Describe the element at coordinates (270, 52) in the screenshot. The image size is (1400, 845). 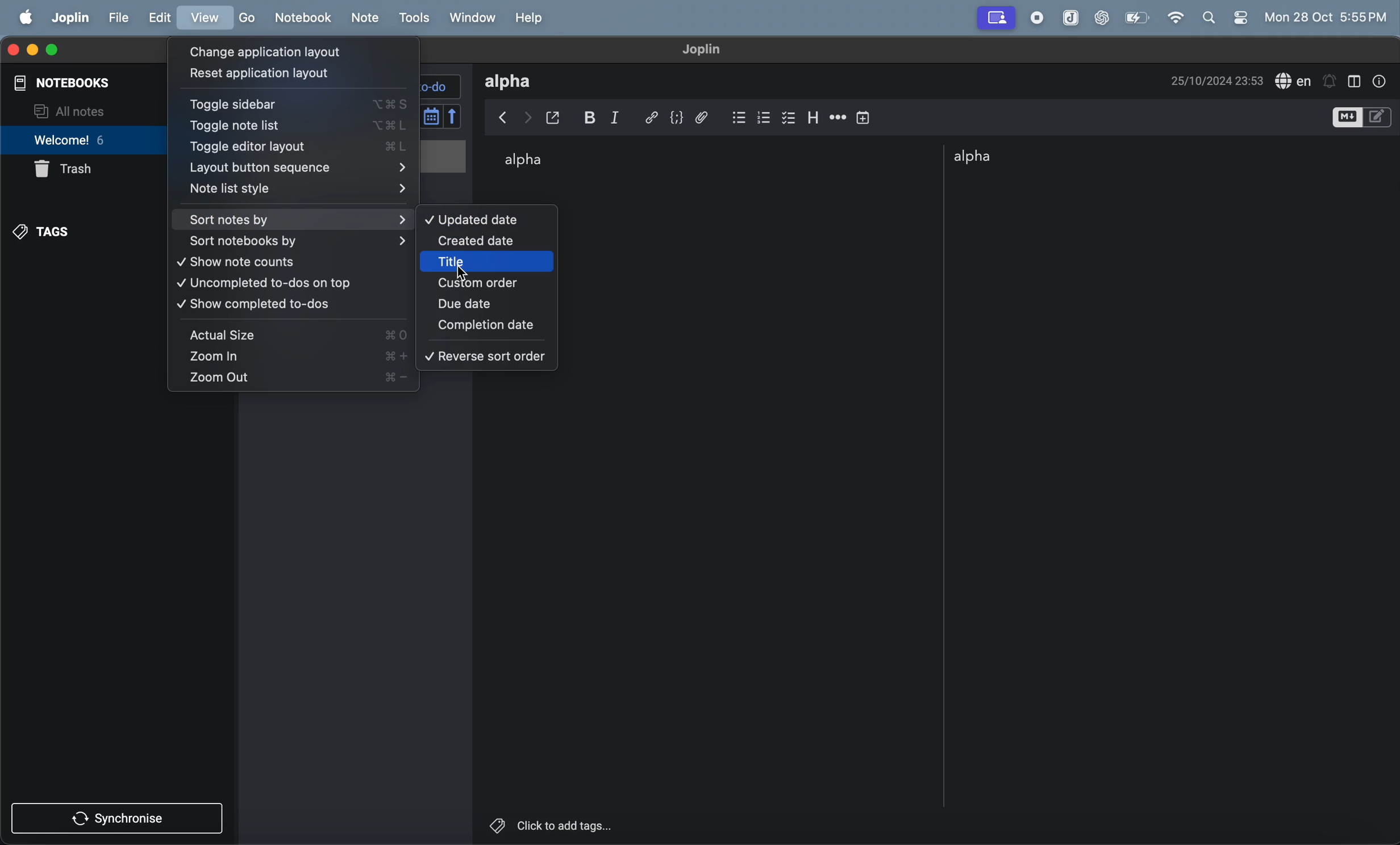
I see `change application layout` at that location.